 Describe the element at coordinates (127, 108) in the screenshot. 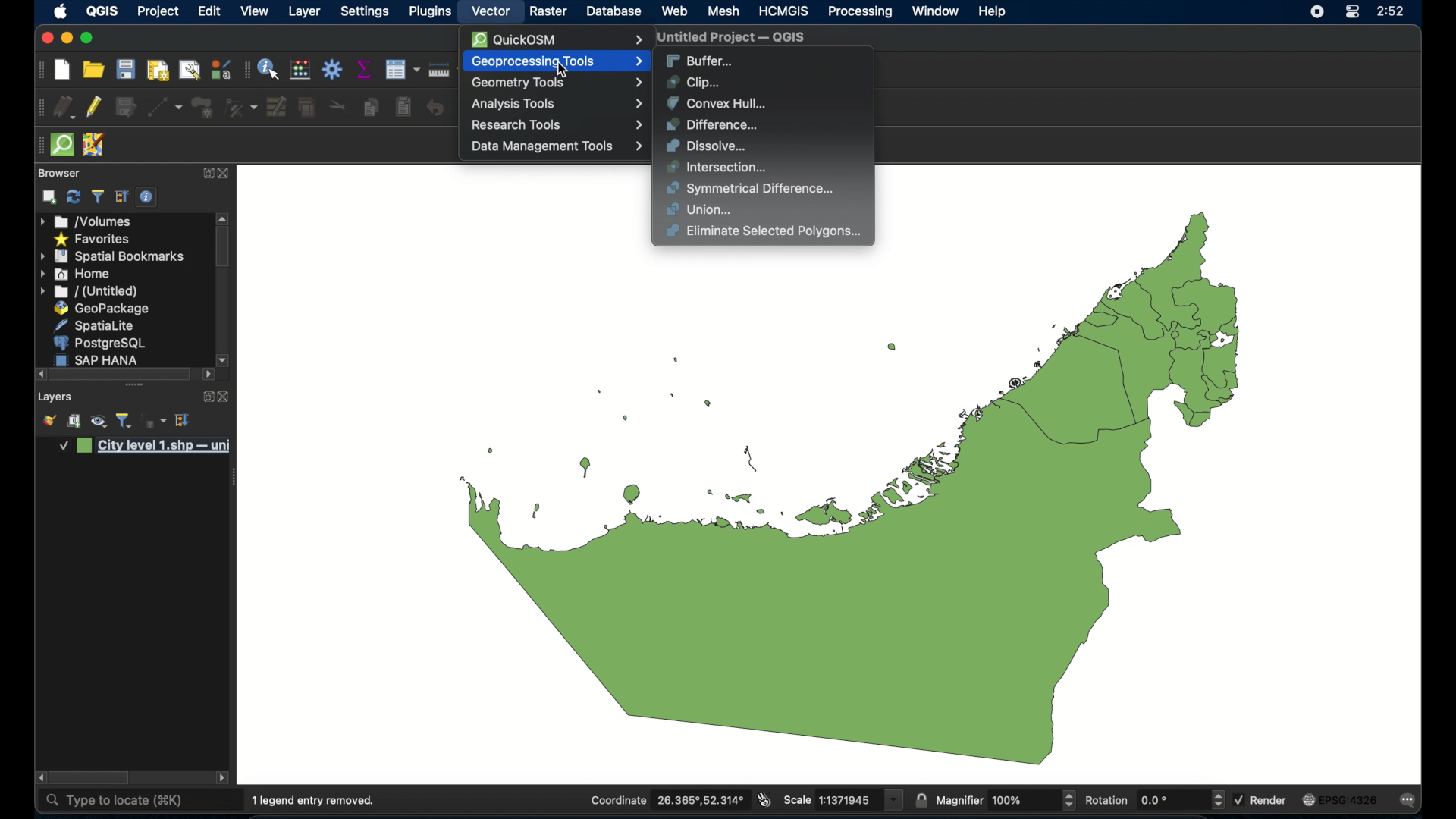

I see `save edits` at that location.